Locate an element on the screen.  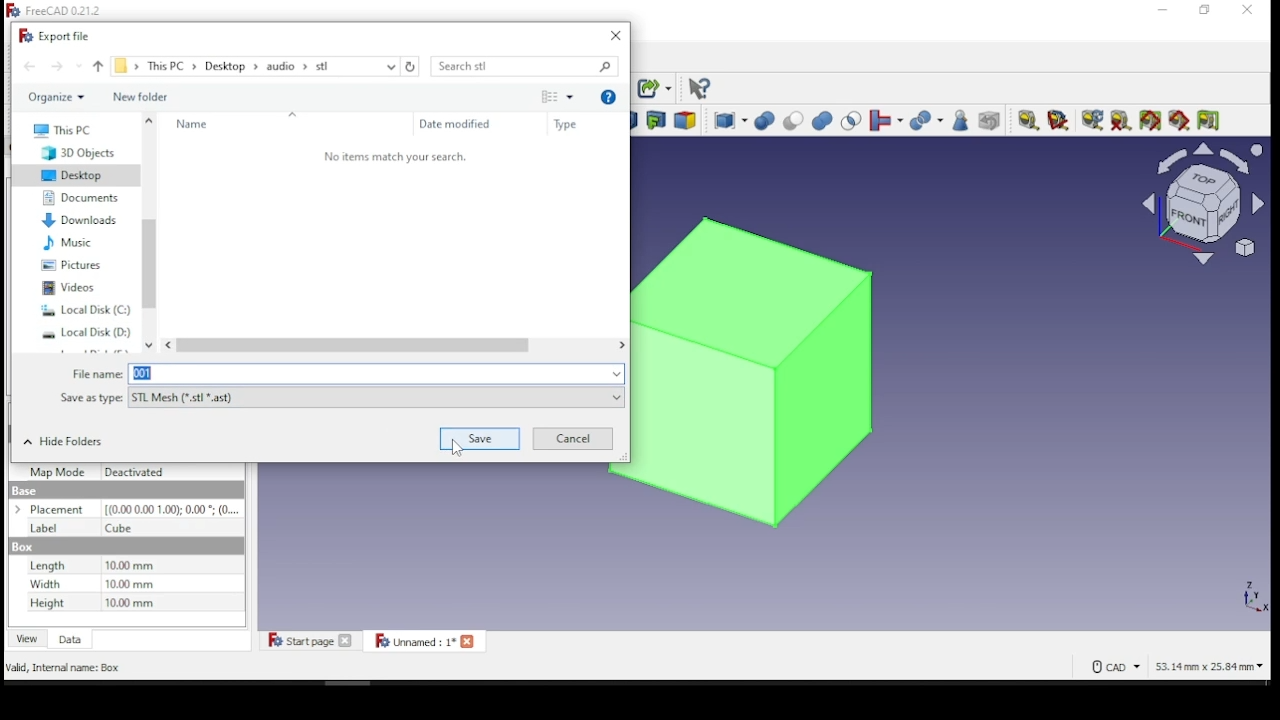
scroll bar is located at coordinates (148, 233).